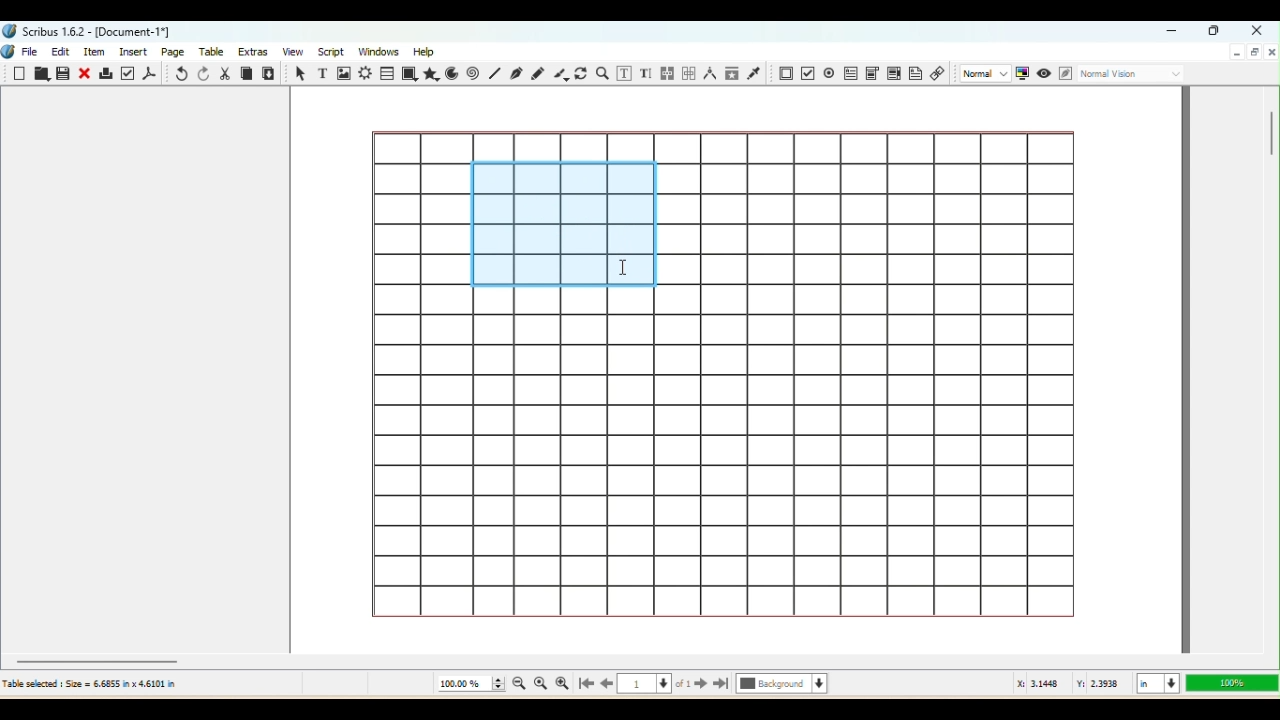 The width and height of the screenshot is (1280, 720). What do you see at coordinates (1156, 684) in the screenshot?
I see `Select the current Unit` at bounding box center [1156, 684].